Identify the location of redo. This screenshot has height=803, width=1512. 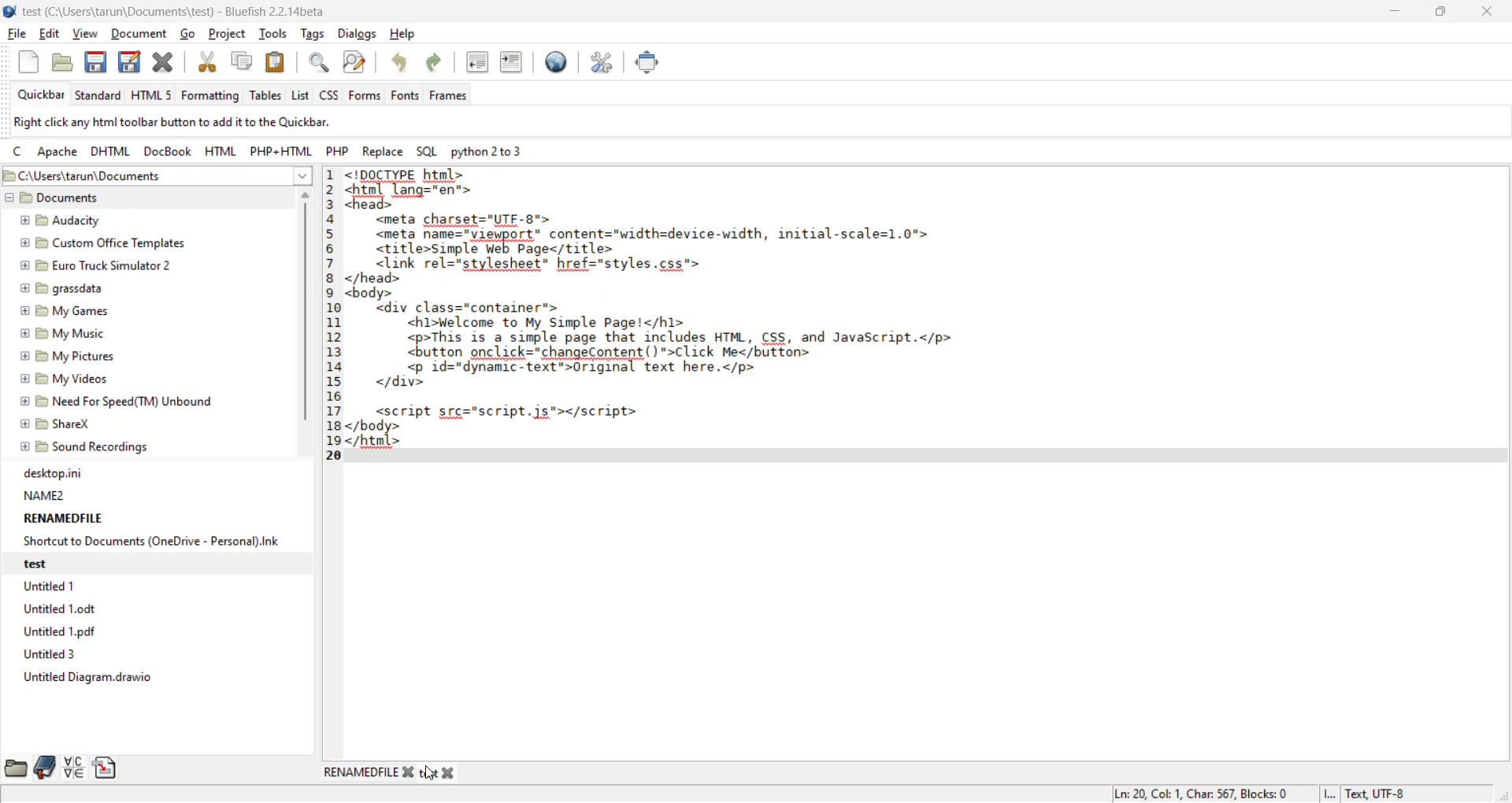
(437, 62).